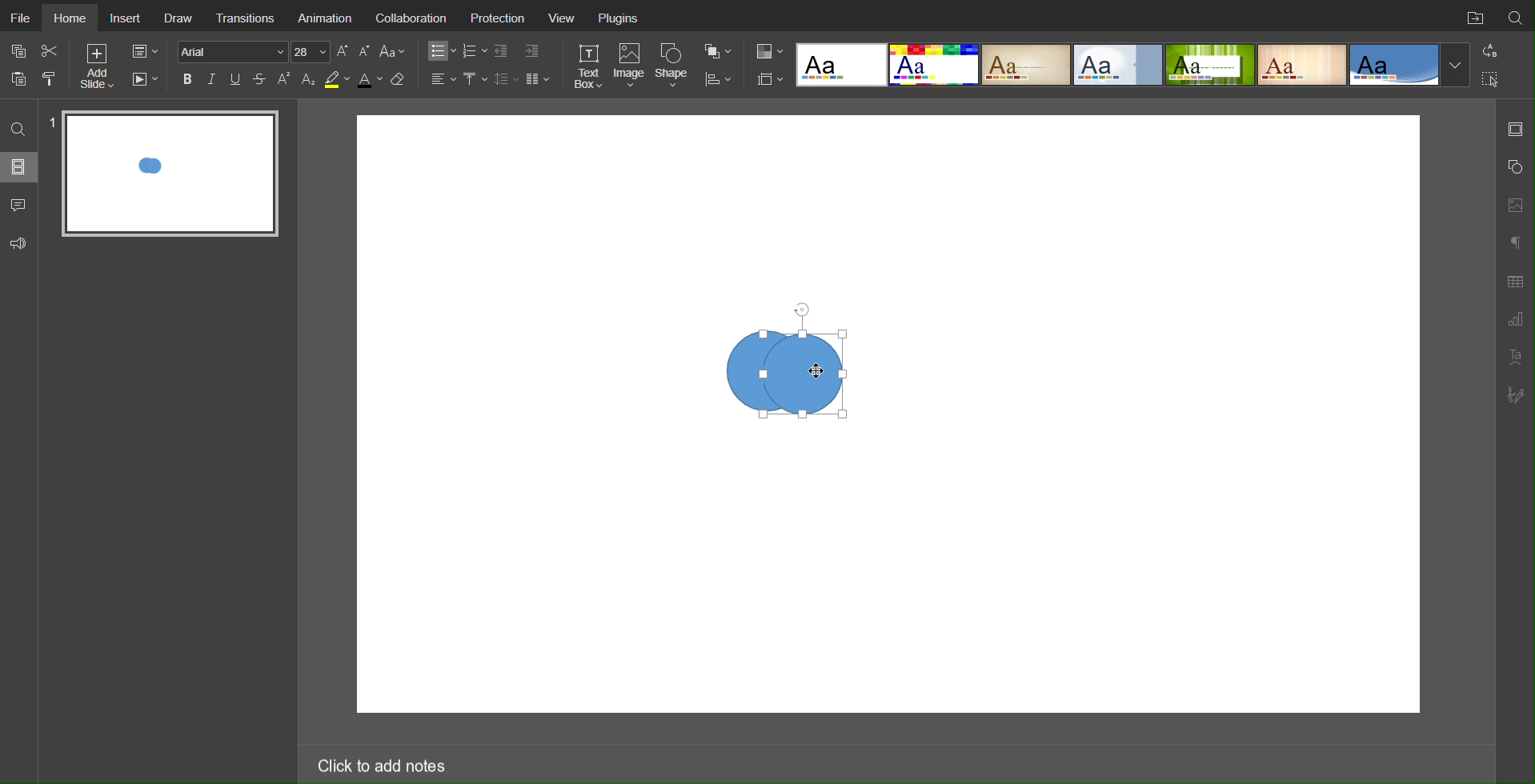 This screenshot has width=1535, height=784. What do you see at coordinates (506, 78) in the screenshot?
I see `Line Spacing` at bounding box center [506, 78].